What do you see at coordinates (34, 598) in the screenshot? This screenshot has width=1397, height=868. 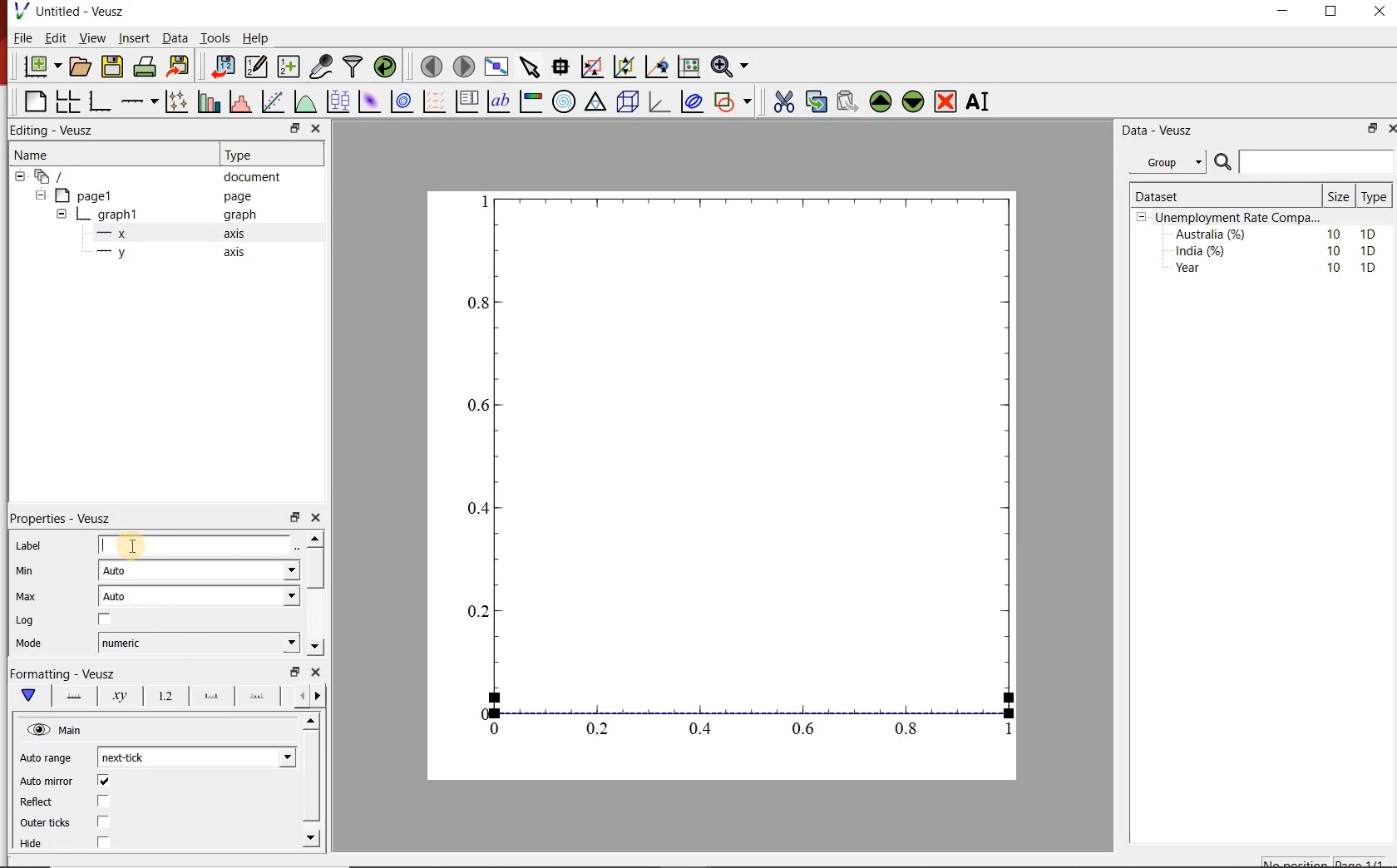 I see `Max` at bounding box center [34, 598].